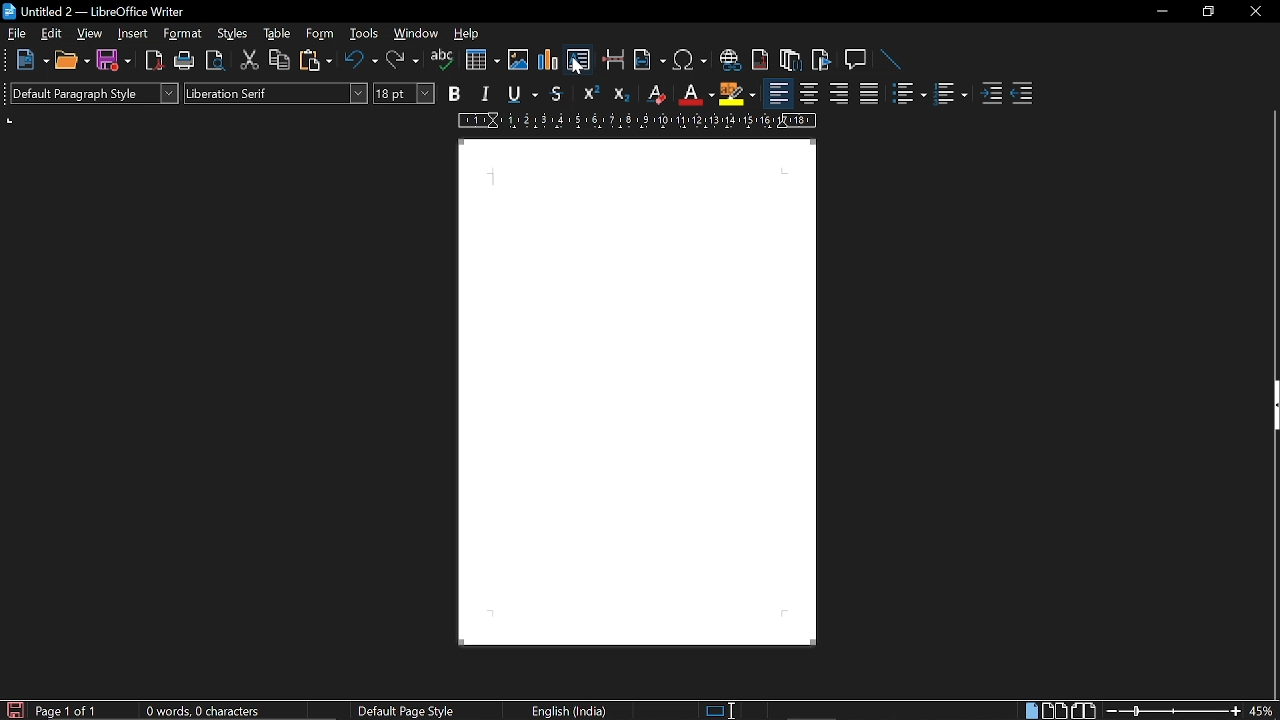  I want to click on Current page, so click(638, 390).